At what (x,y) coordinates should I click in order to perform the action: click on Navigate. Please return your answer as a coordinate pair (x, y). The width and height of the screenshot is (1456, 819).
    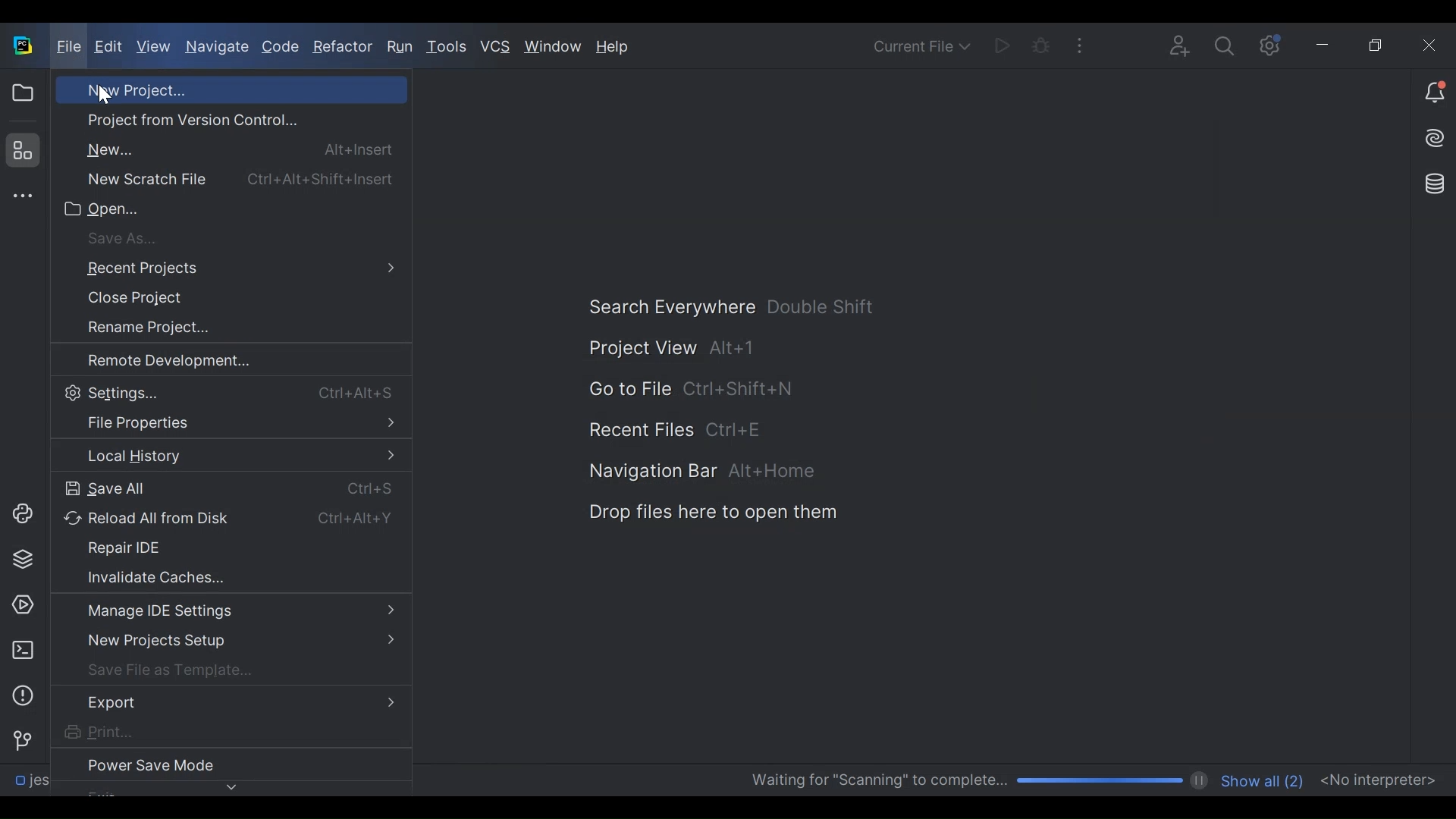
    Looking at the image, I should click on (217, 49).